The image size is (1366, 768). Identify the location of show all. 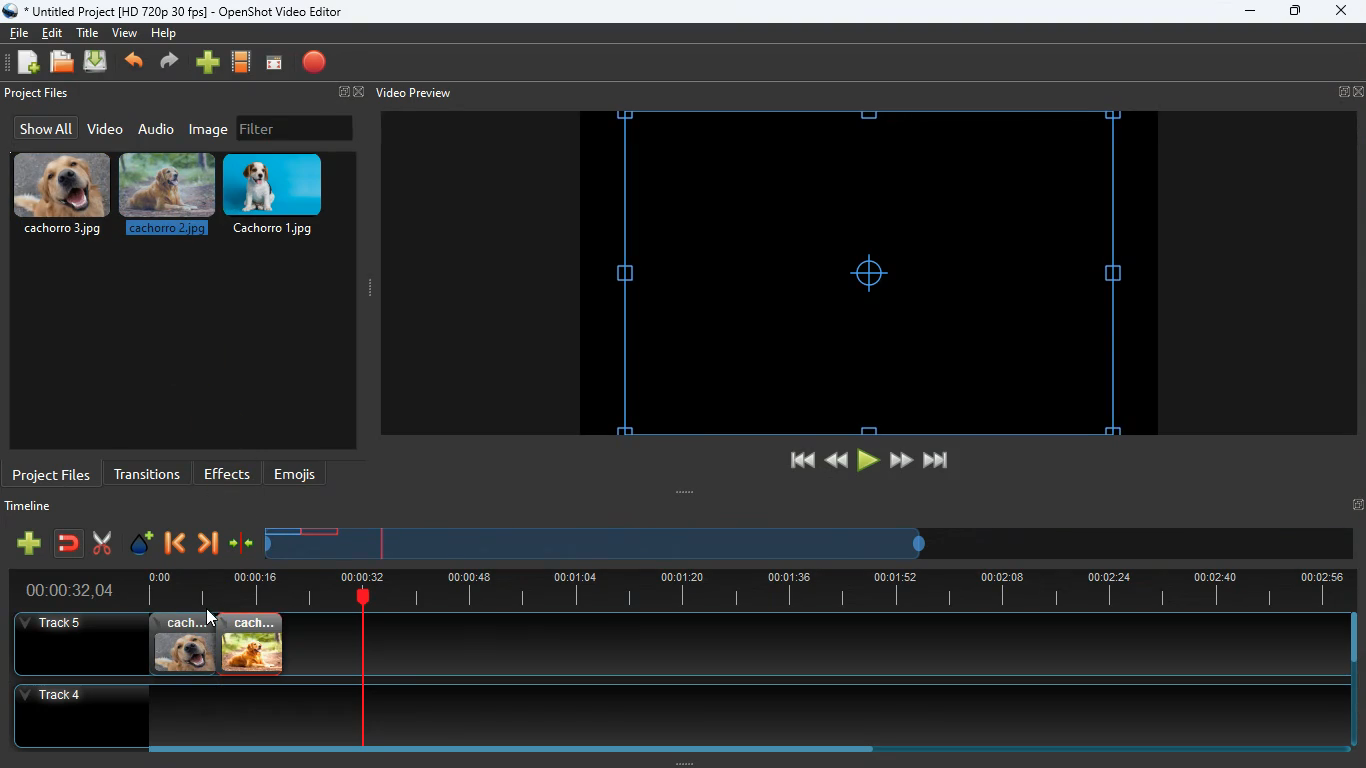
(43, 128).